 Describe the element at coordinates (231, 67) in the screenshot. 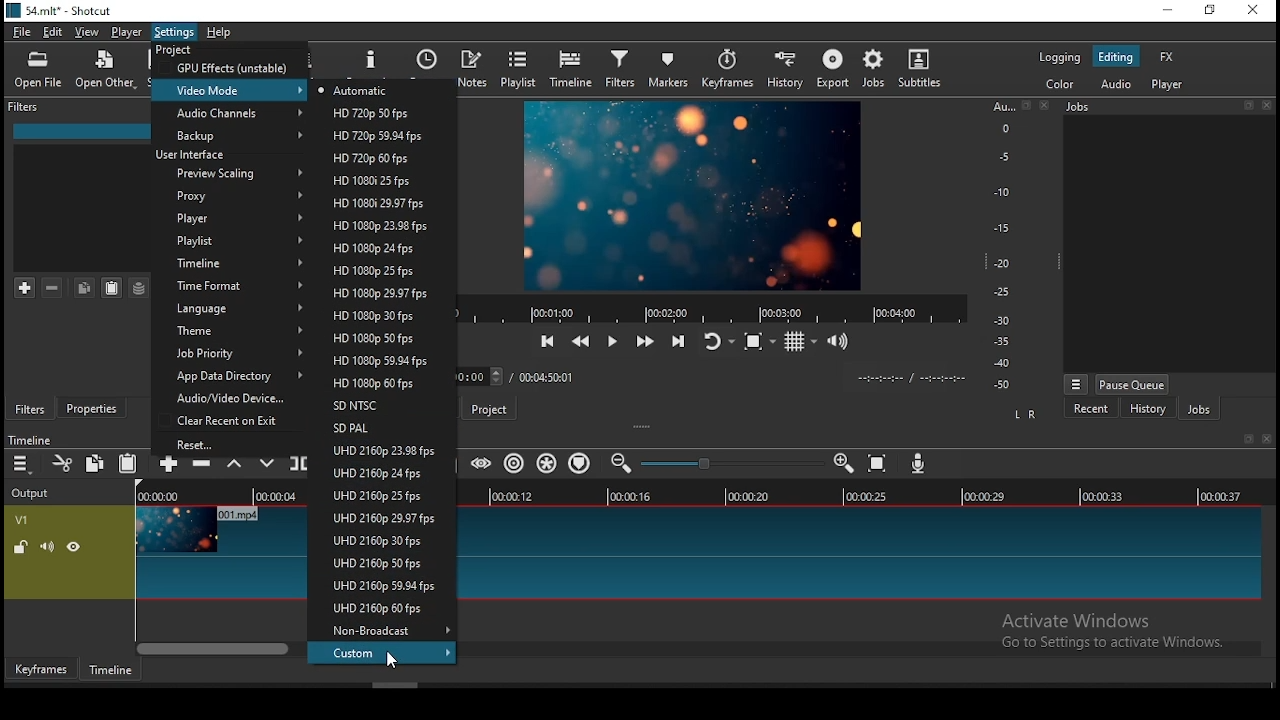

I see `gpu effects` at that location.